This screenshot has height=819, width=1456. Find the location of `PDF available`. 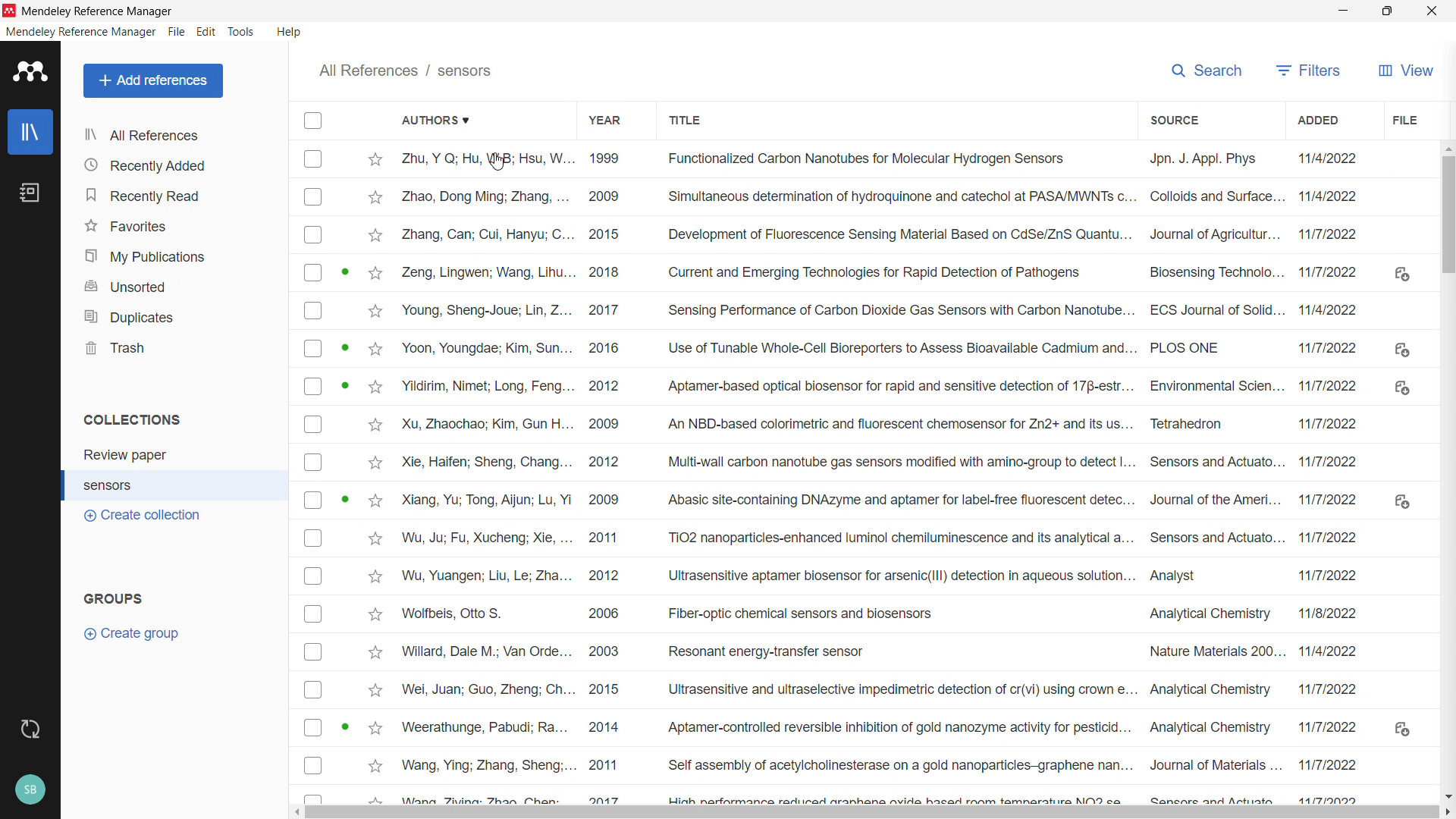

PDF available is located at coordinates (344, 497).